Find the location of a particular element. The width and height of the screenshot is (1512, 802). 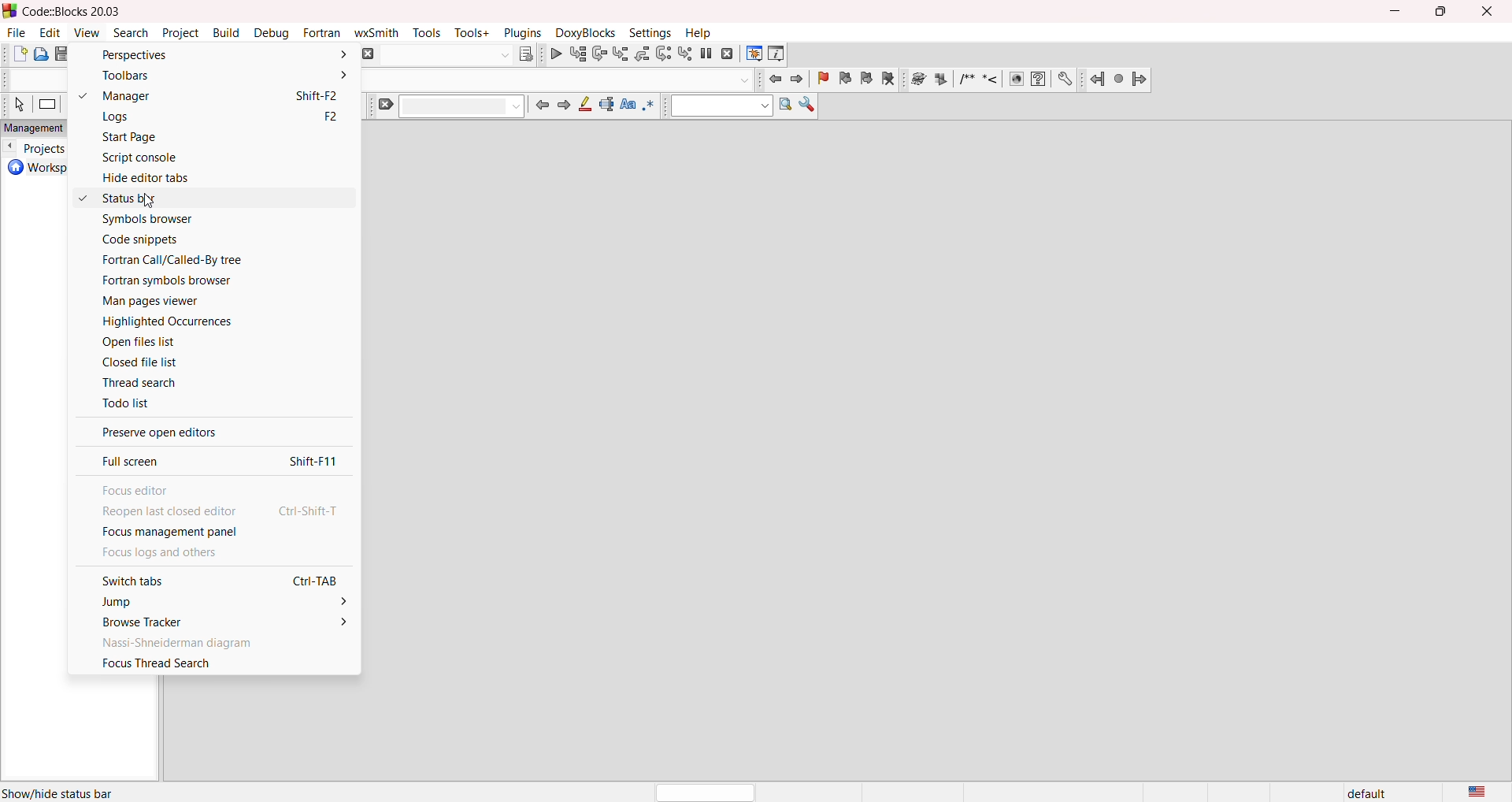

thread search is located at coordinates (210, 381).